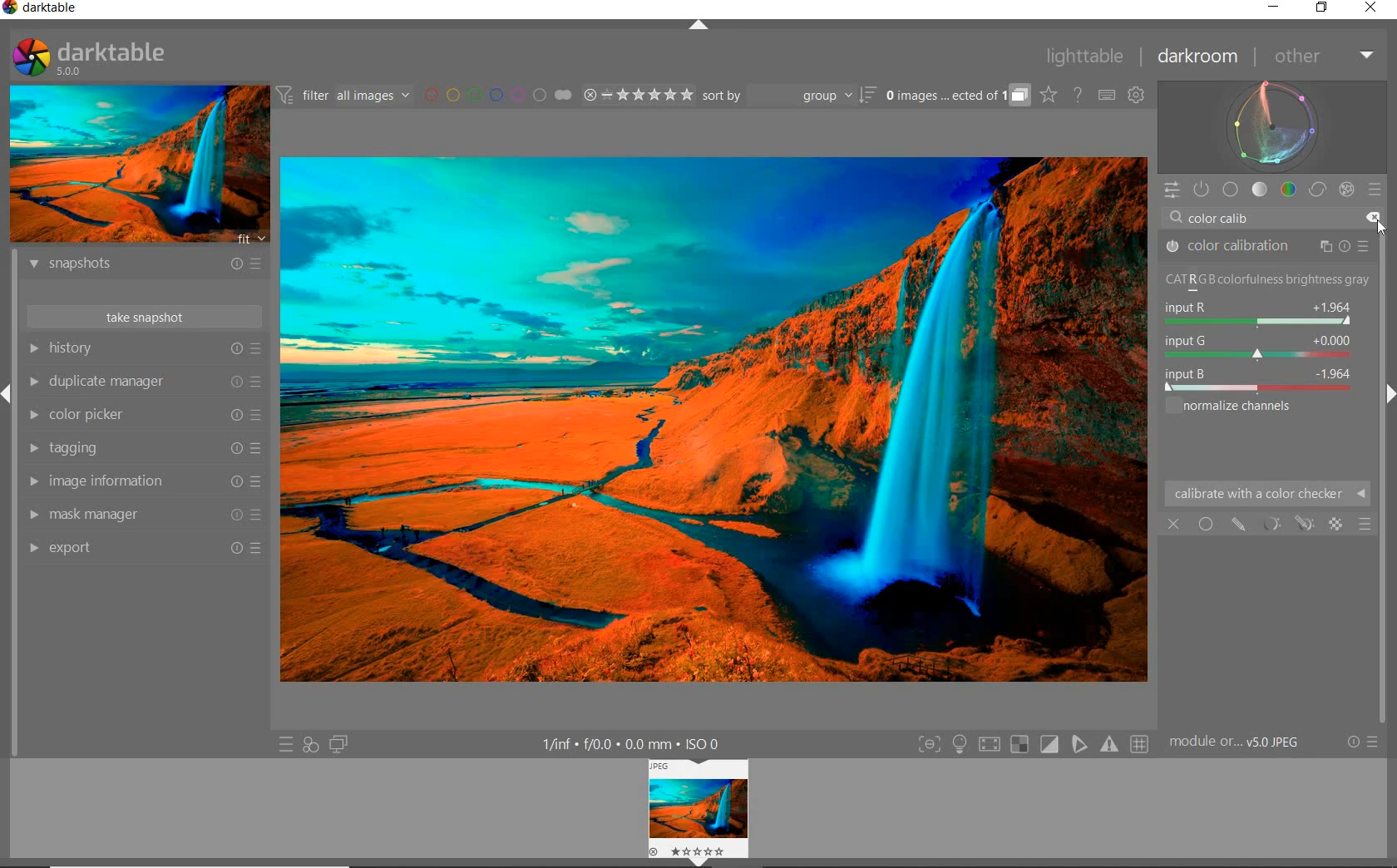  What do you see at coordinates (499, 96) in the screenshot?
I see `FILTER BY IMAGE COLOR LABEL` at bounding box center [499, 96].